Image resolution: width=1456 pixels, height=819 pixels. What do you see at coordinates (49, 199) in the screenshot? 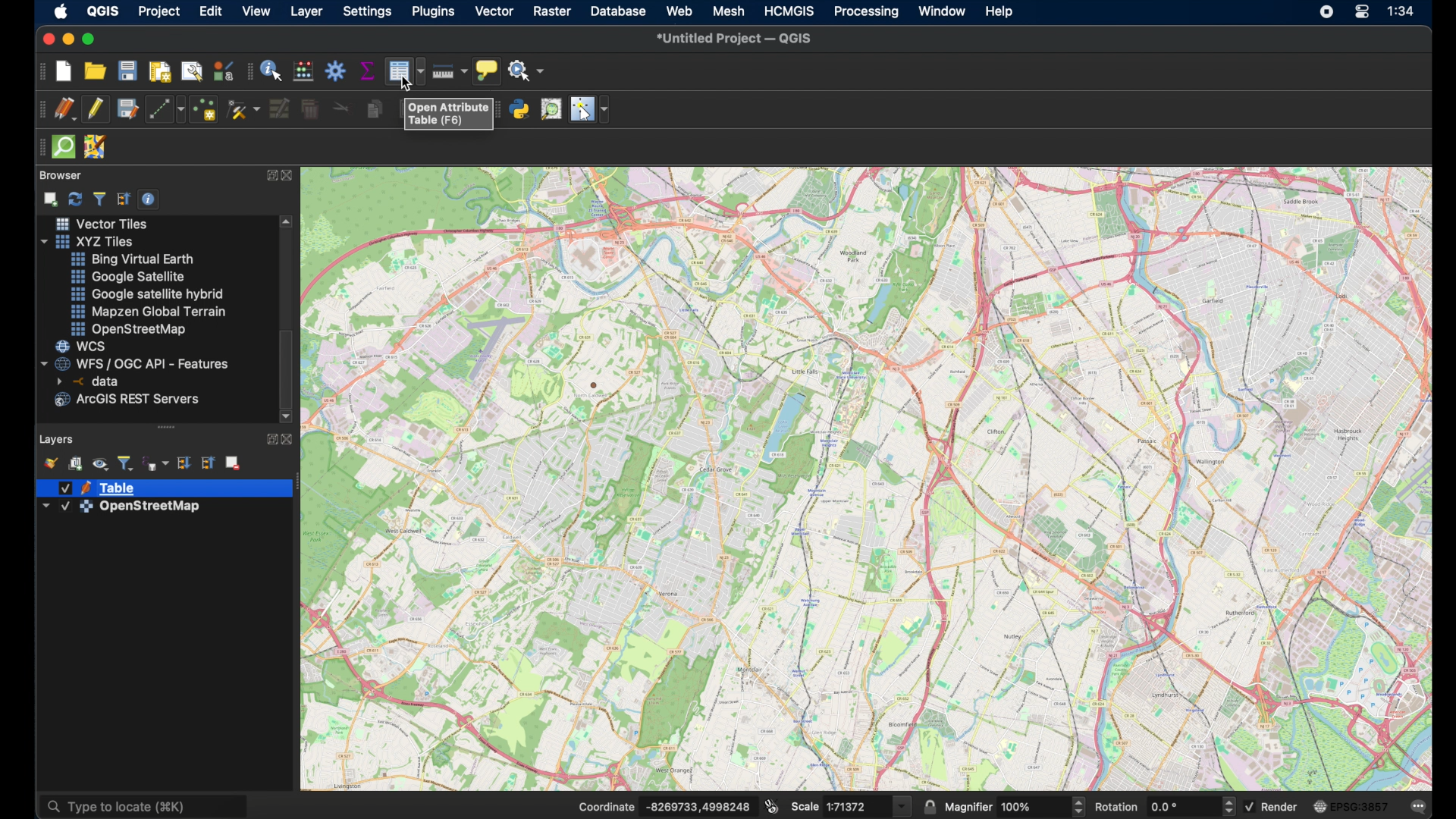
I see `add selected layers` at bounding box center [49, 199].